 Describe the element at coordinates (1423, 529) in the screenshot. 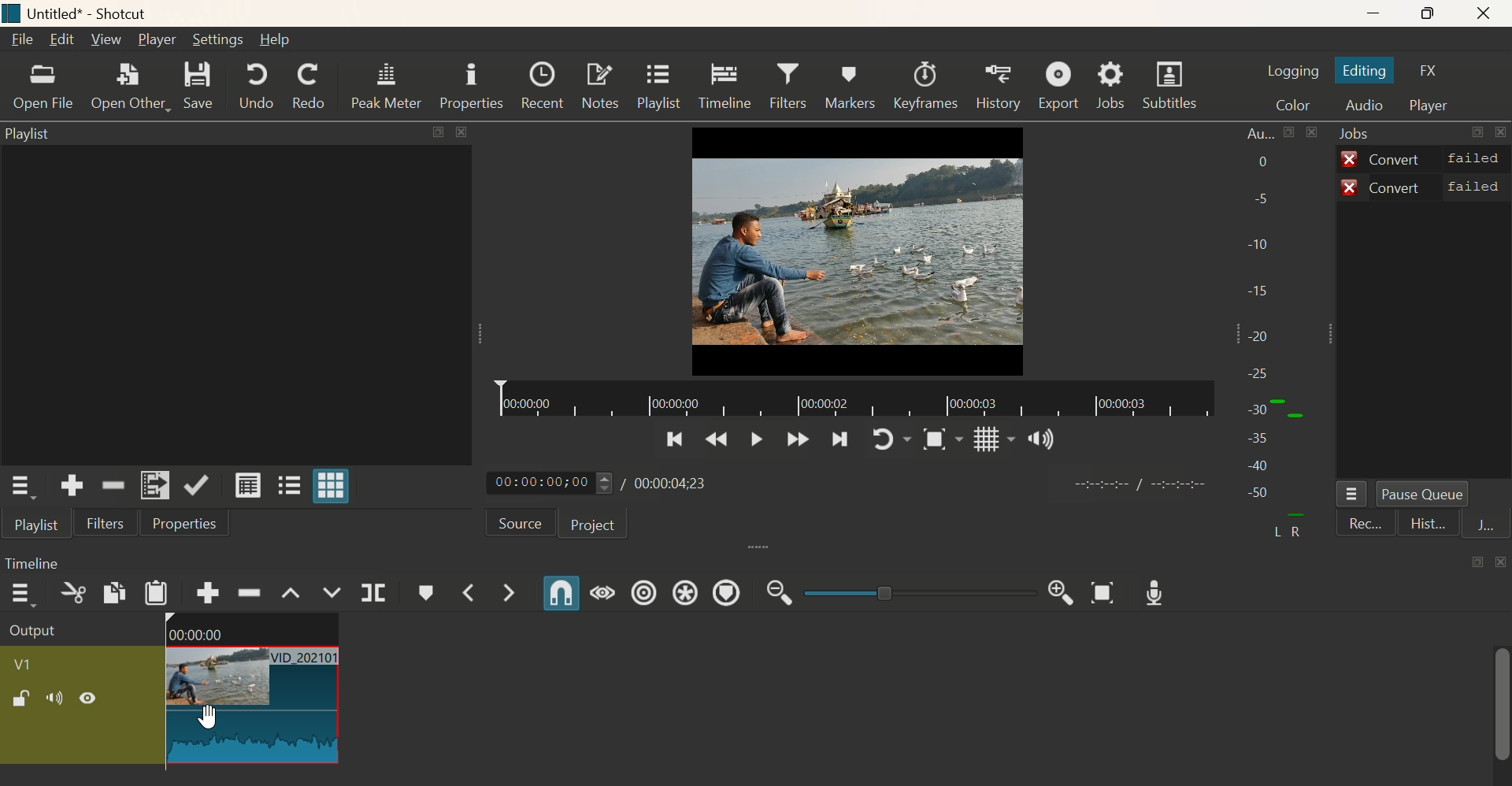

I see `` at that location.